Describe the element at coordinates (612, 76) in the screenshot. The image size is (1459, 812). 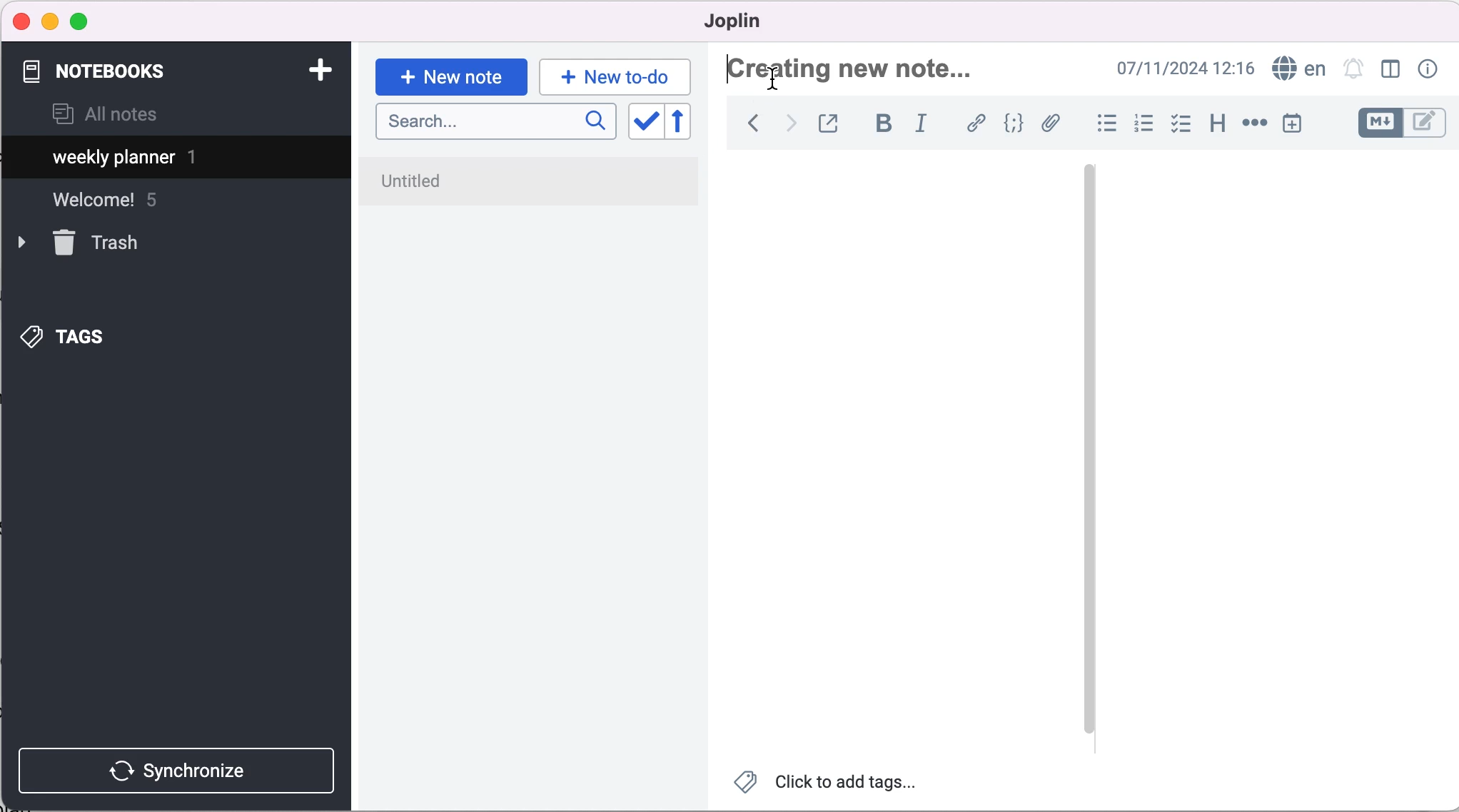
I see `new to-do` at that location.